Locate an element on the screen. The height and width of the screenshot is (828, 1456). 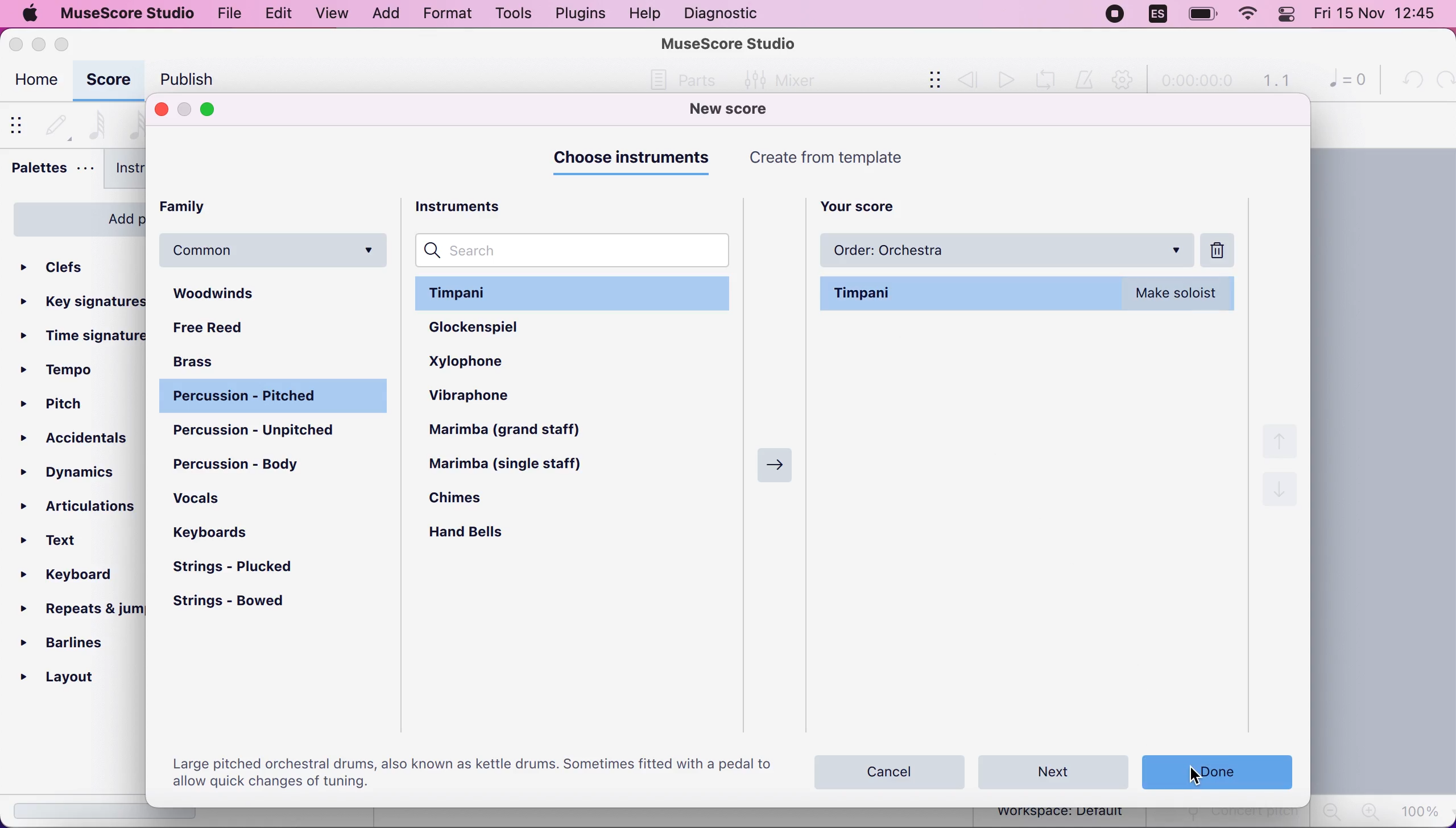
cursor is located at coordinates (1191, 779).